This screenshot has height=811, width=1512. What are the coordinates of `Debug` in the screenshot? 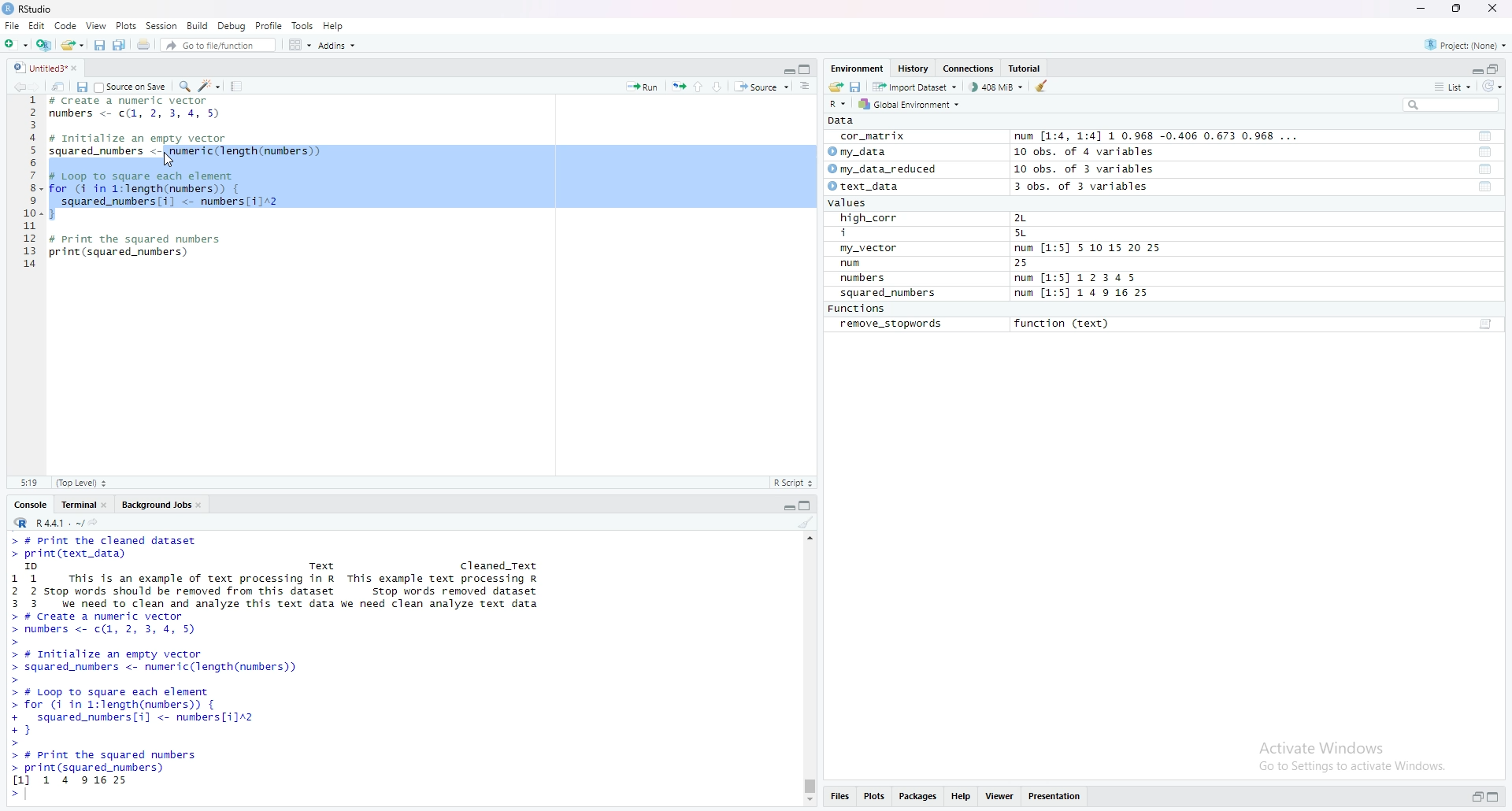 It's located at (232, 25).